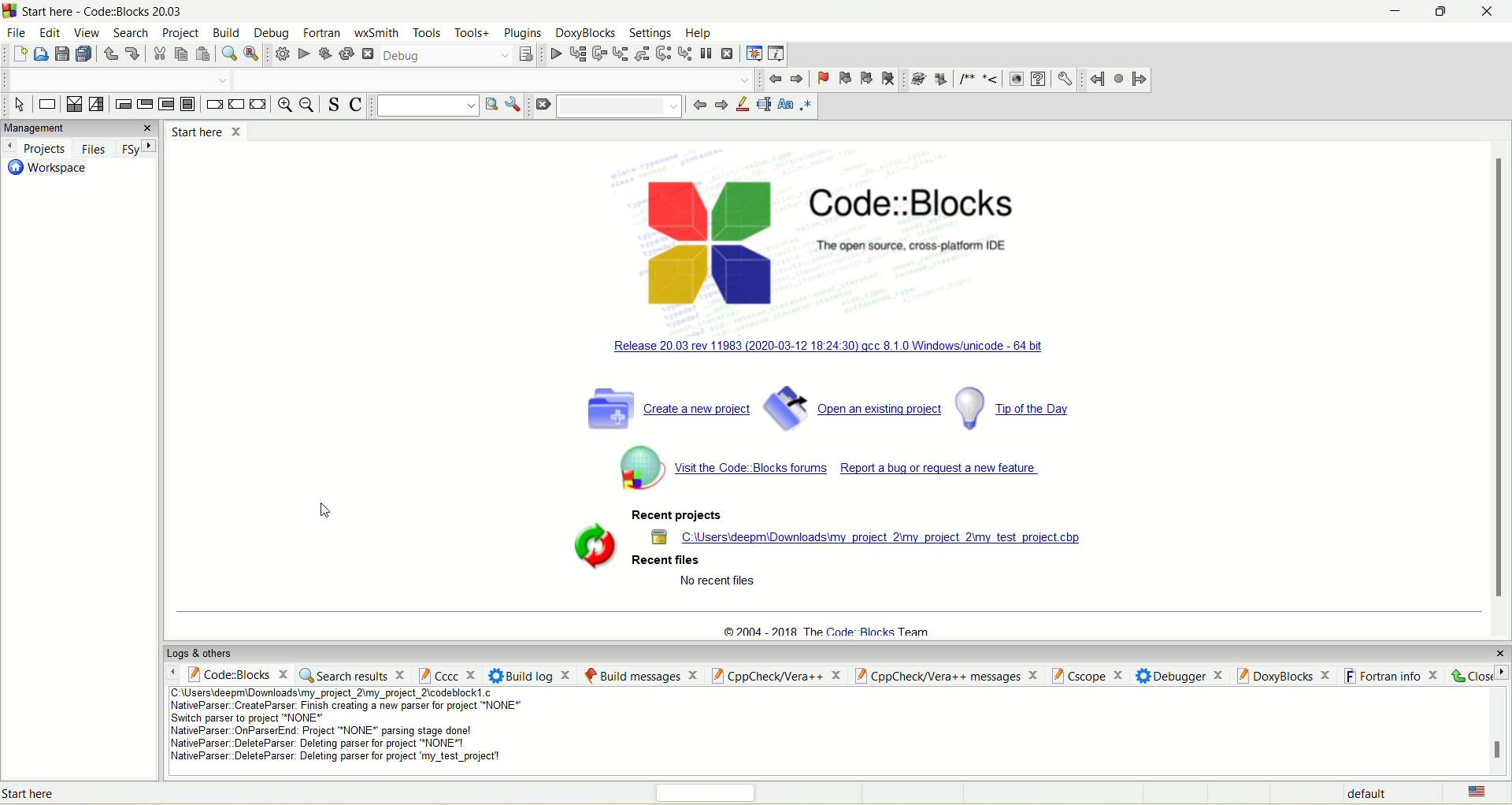  What do you see at coordinates (1025, 407) in the screenshot?
I see `tip og the day` at bounding box center [1025, 407].